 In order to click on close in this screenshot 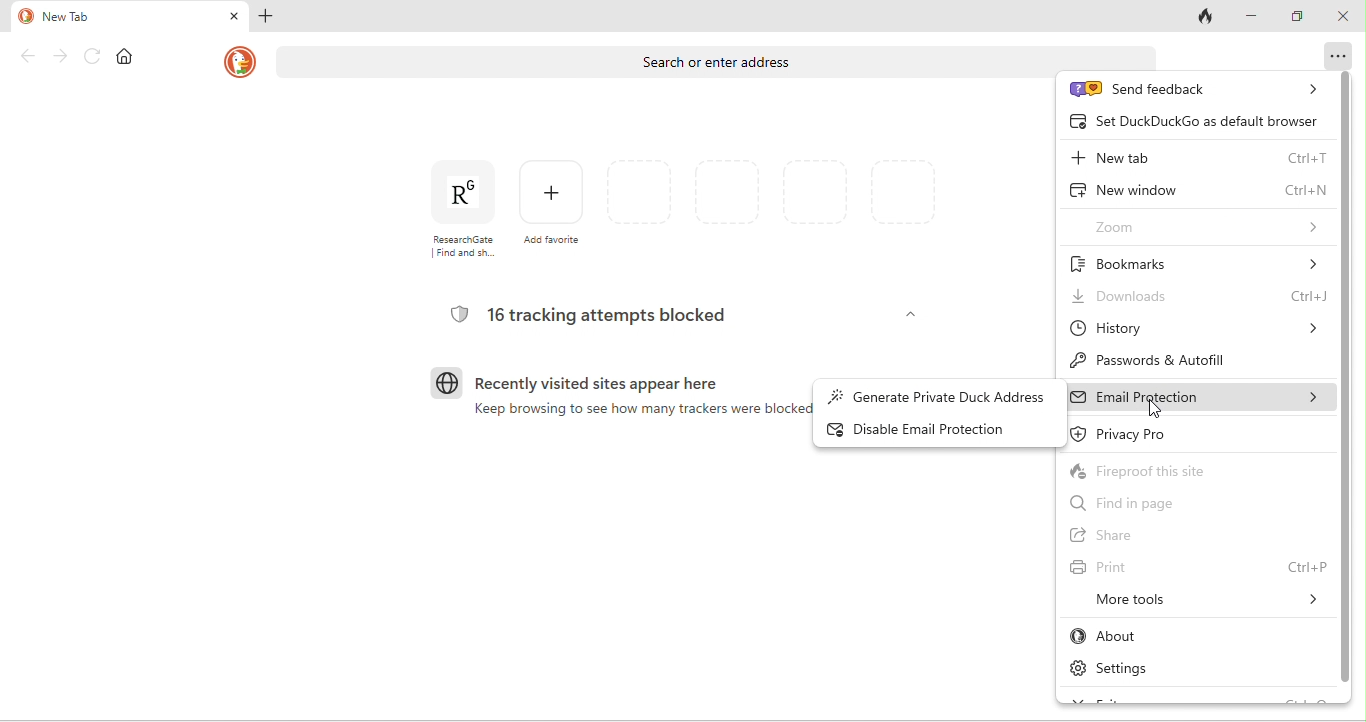, I will do `click(1342, 19)`.